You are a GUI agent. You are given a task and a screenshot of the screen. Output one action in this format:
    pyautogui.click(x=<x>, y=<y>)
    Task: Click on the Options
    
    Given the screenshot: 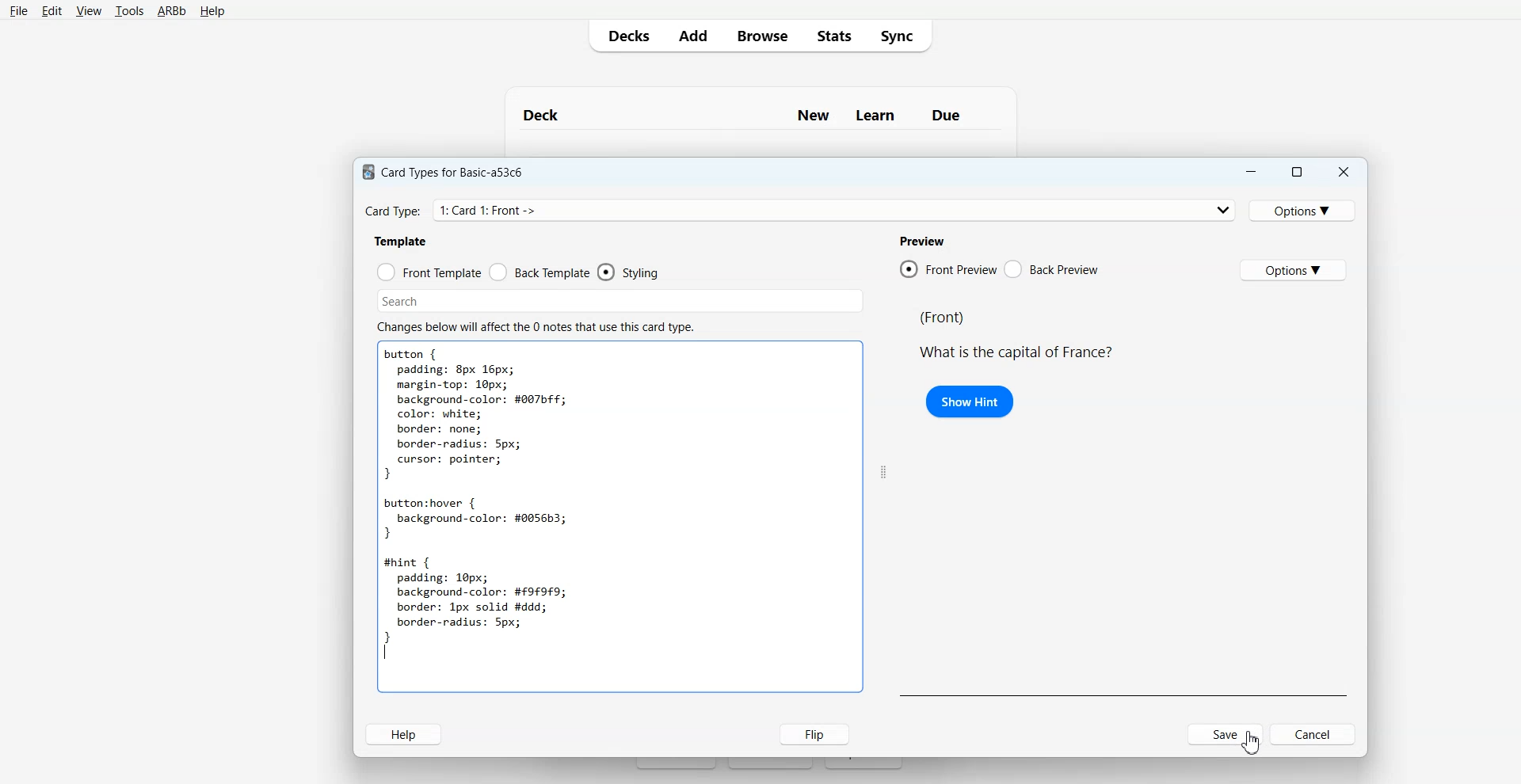 What is the action you would take?
    pyautogui.click(x=1293, y=269)
    